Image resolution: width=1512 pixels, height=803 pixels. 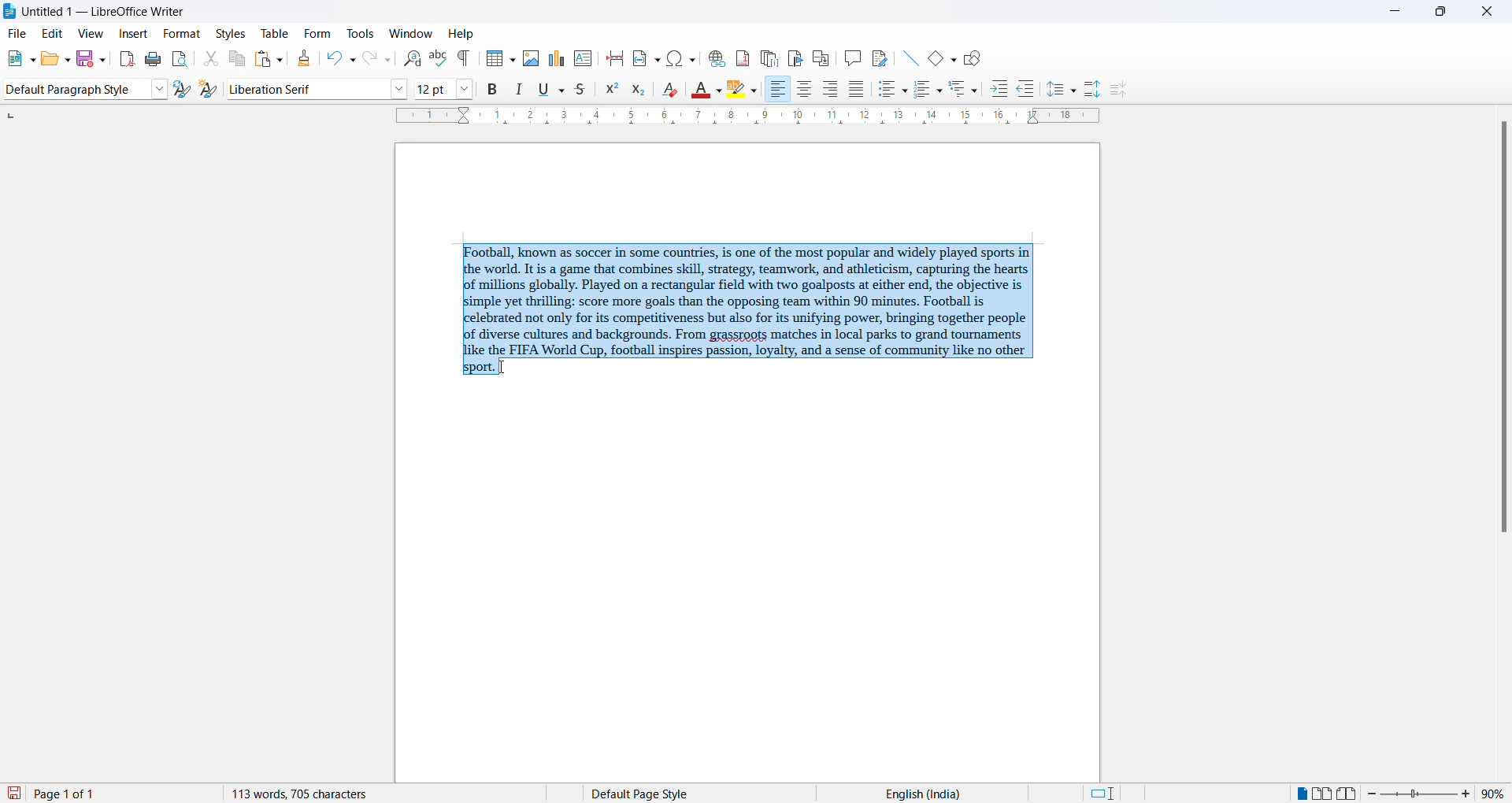 I want to click on new file options, so click(x=29, y=58).